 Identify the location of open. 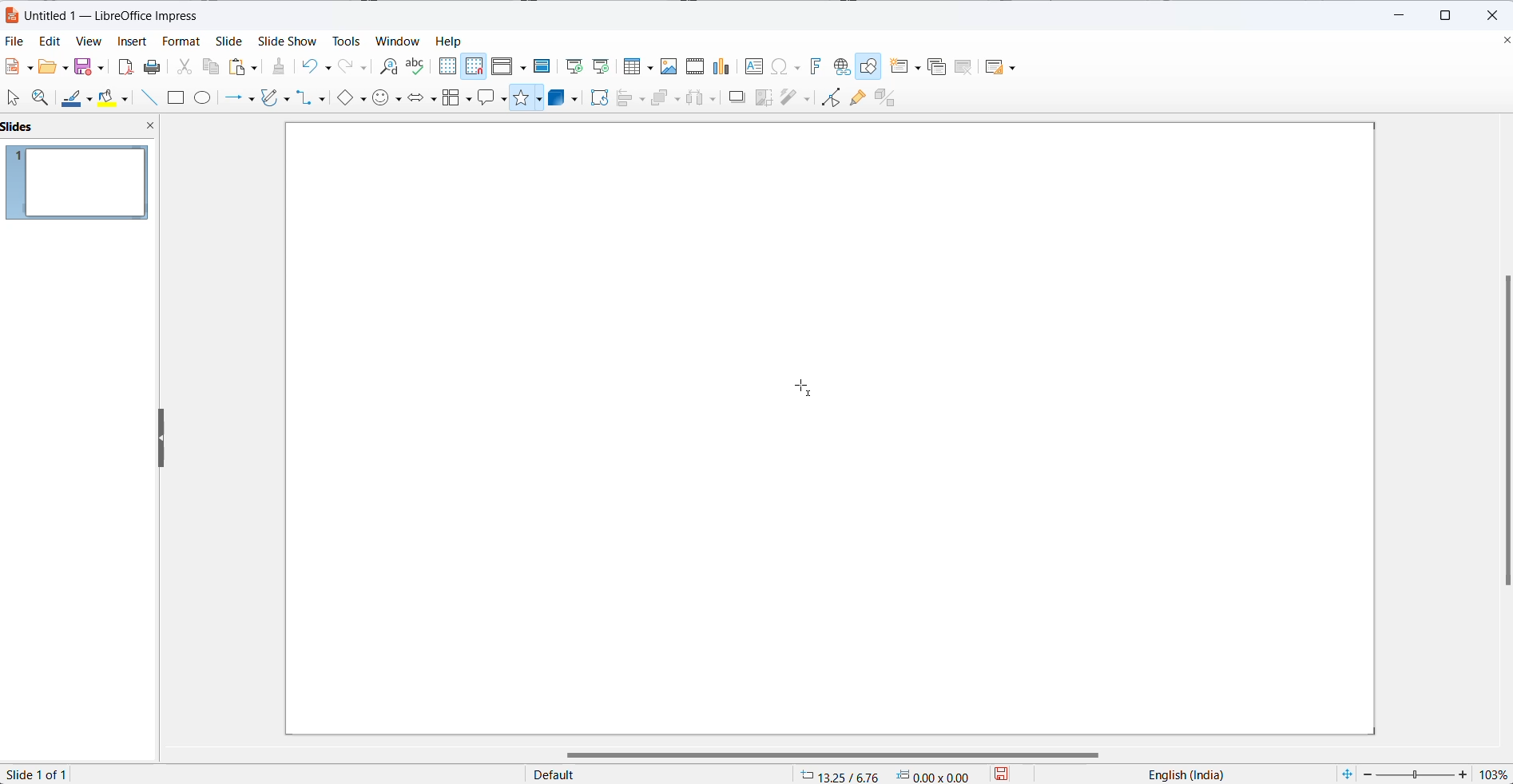
(53, 66).